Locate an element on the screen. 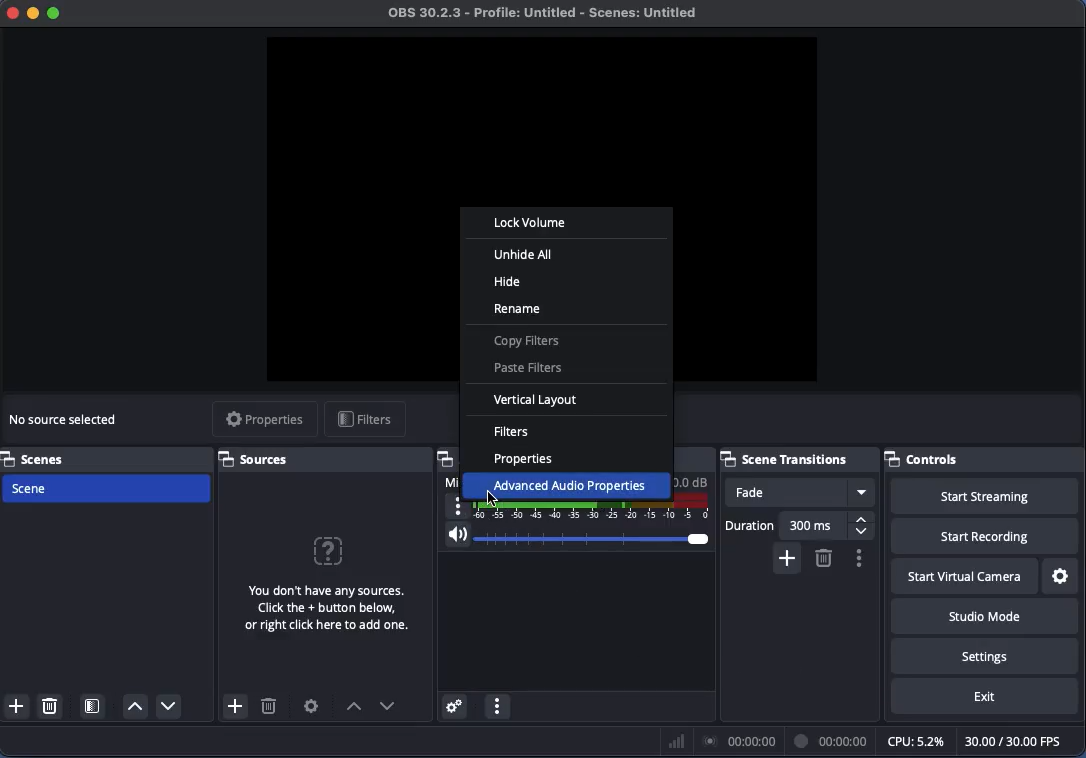  No source selected is located at coordinates (66, 421).